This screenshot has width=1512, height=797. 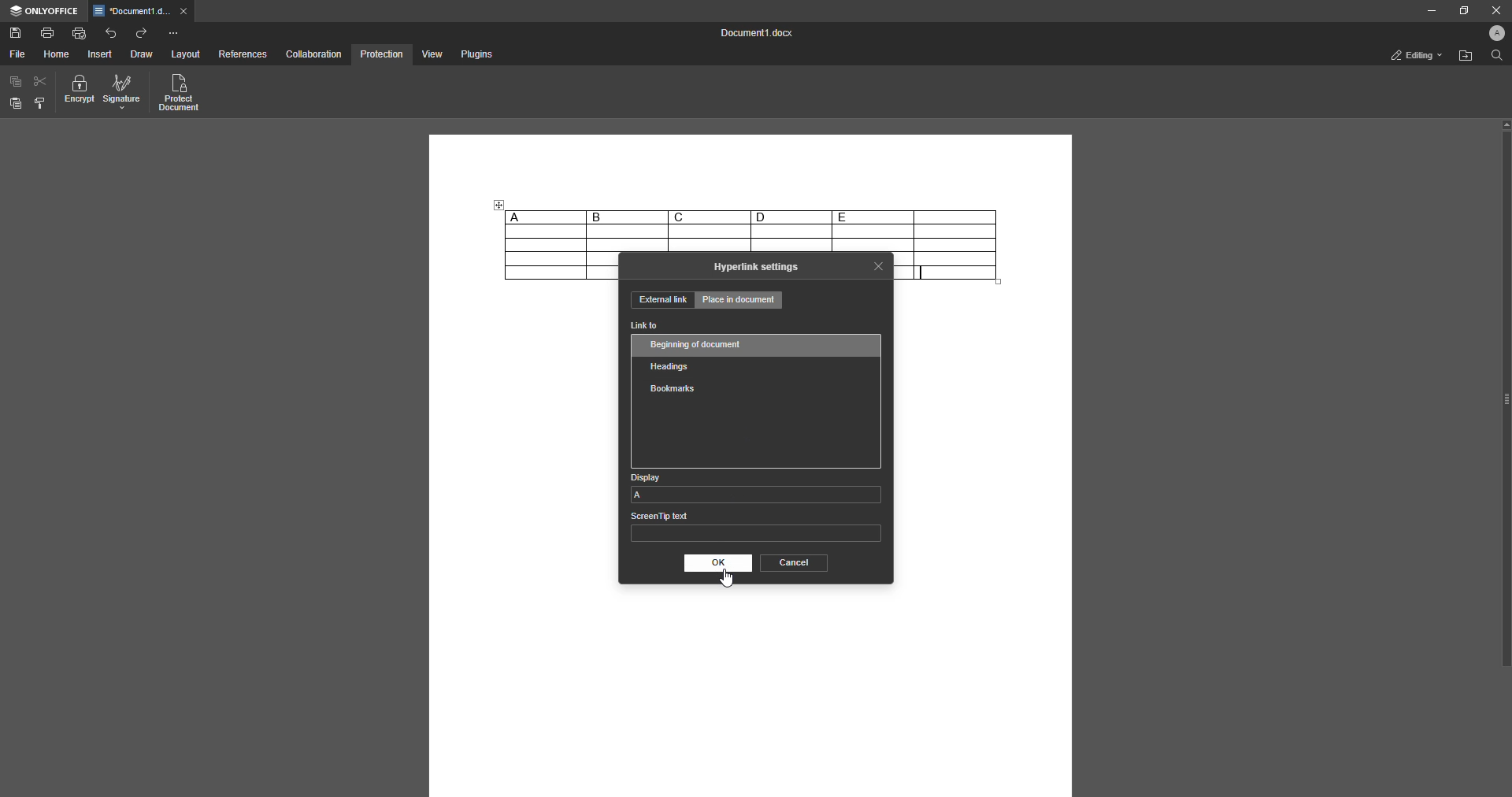 I want to click on Minimize, so click(x=1426, y=11).